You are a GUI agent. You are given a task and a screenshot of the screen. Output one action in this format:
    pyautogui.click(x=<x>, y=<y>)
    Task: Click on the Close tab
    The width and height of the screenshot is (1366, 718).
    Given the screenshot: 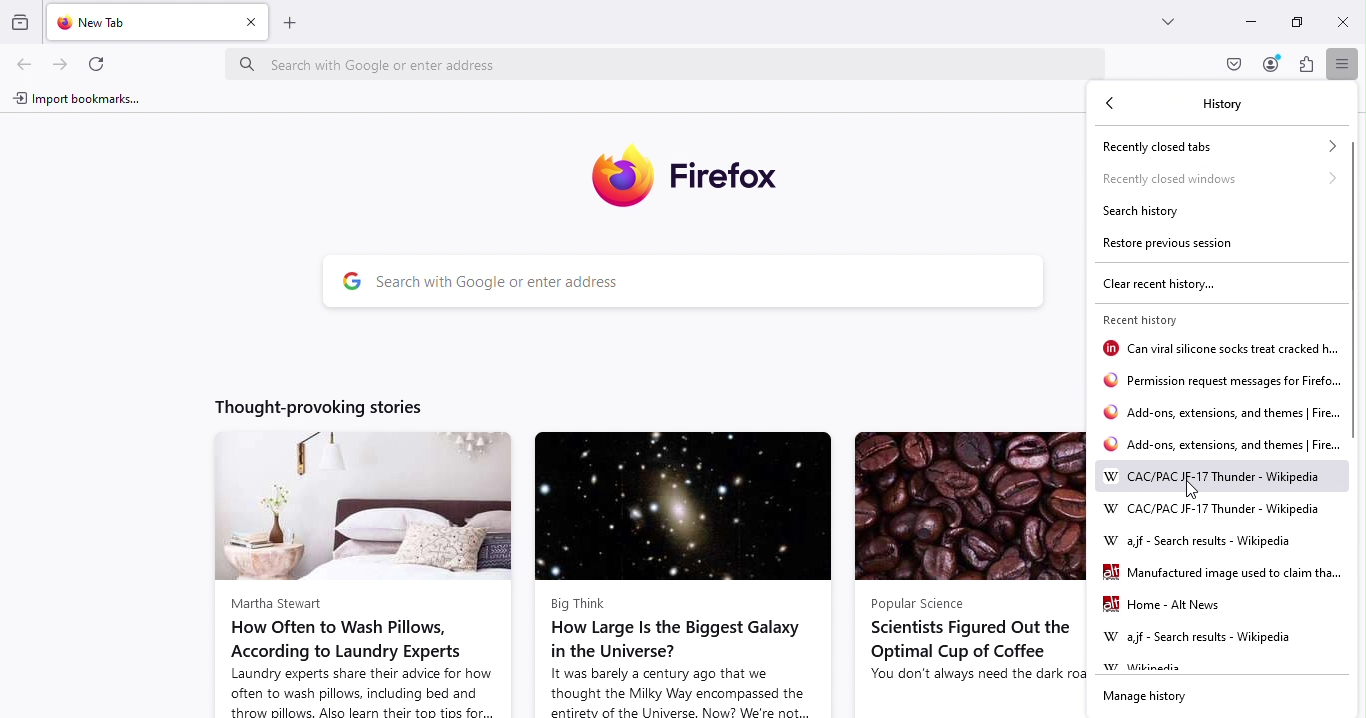 What is the action you would take?
    pyautogui.click(x=249, y=23)
    